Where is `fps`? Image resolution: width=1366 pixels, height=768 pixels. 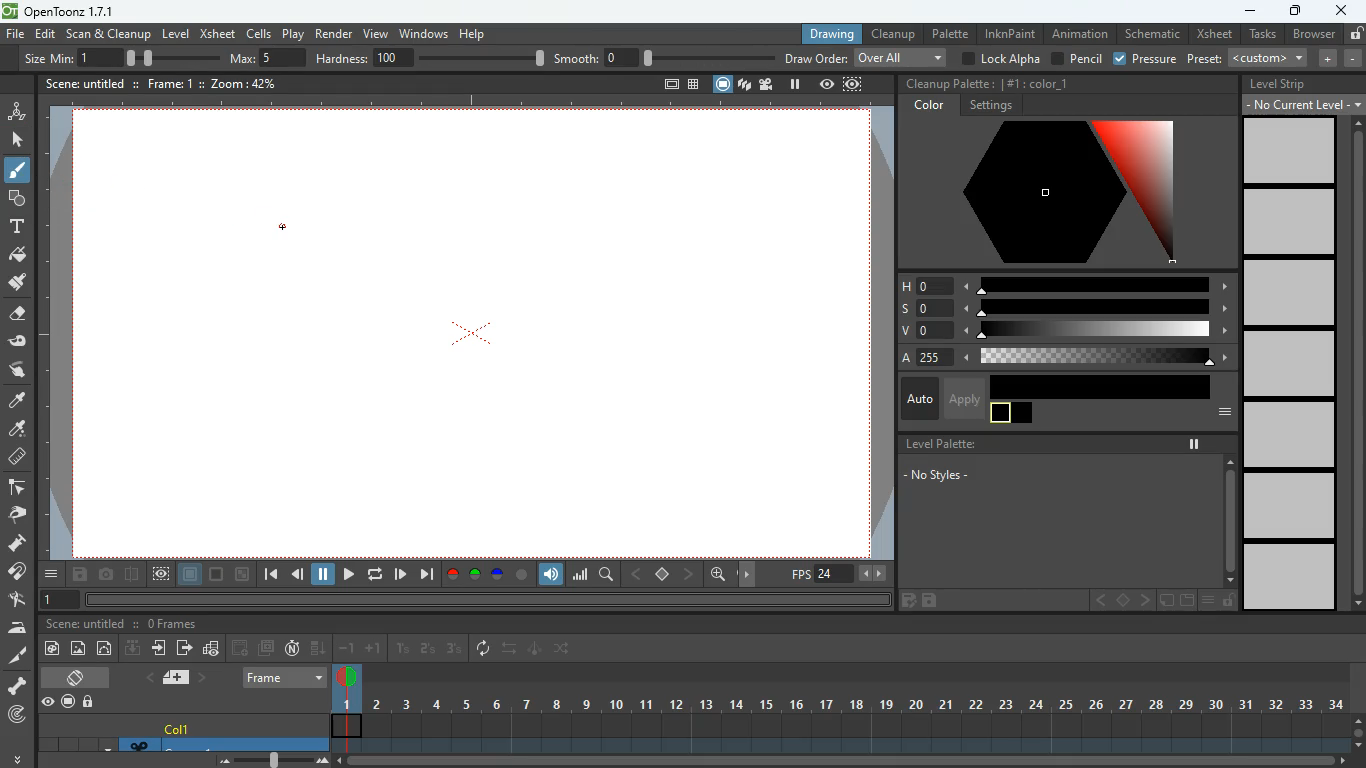
fps is located at coordinates (840, 574).